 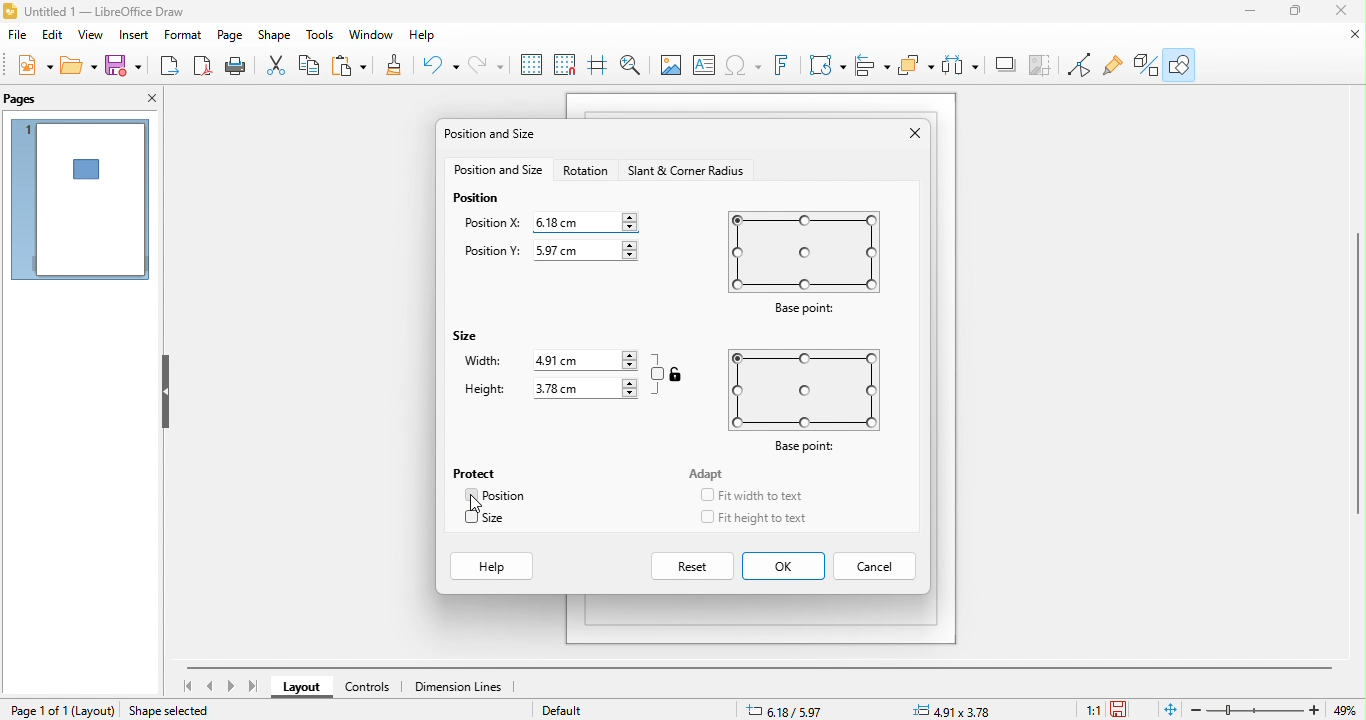 I want to click on fontwork text, so click(x=785, y=65).